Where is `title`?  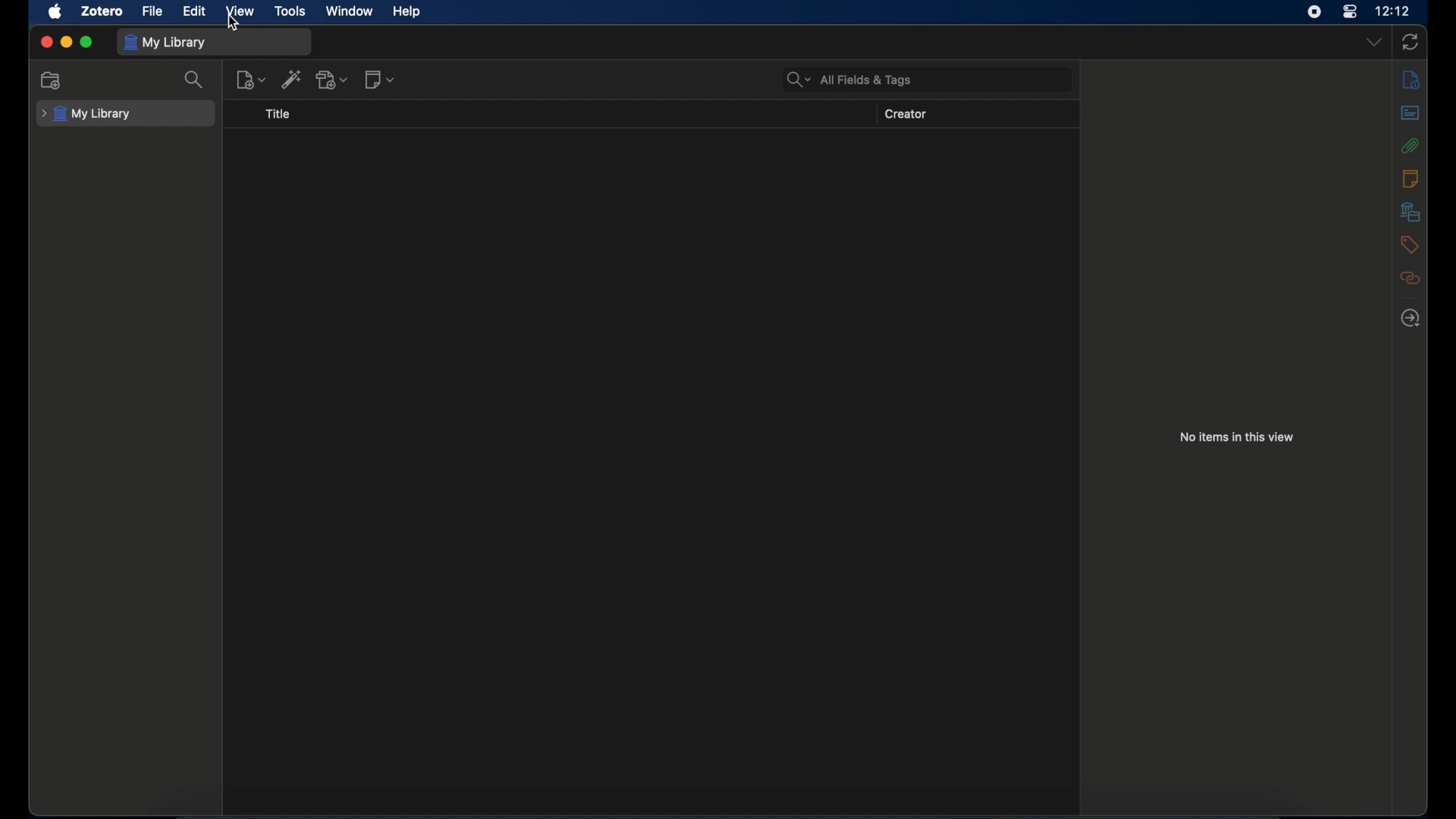
title is located at coordinates (278, 115).